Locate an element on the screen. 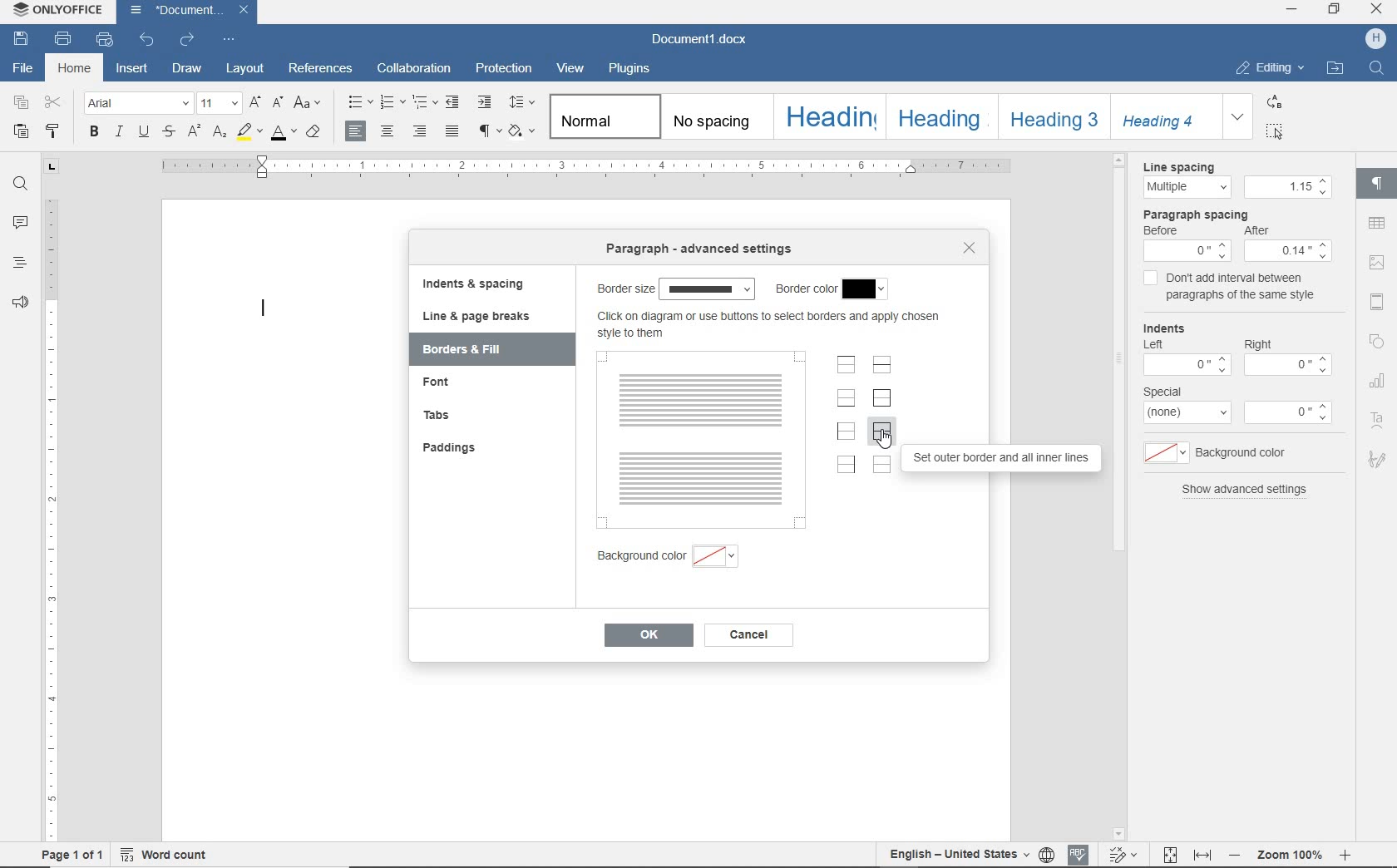  H is located at coordinates (1378, 39).